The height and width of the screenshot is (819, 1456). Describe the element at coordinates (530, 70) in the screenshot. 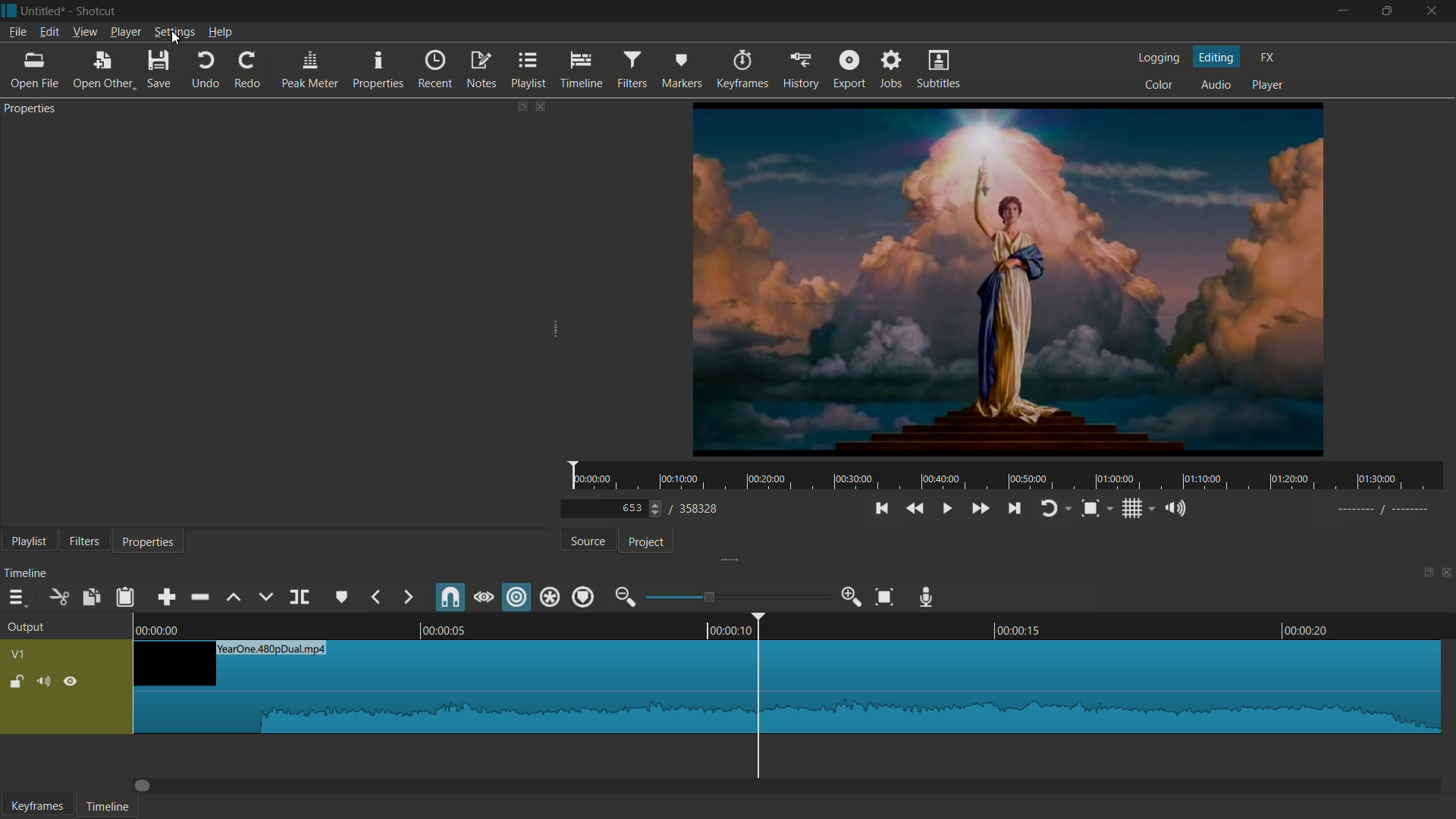

I see `playlist` at that location.